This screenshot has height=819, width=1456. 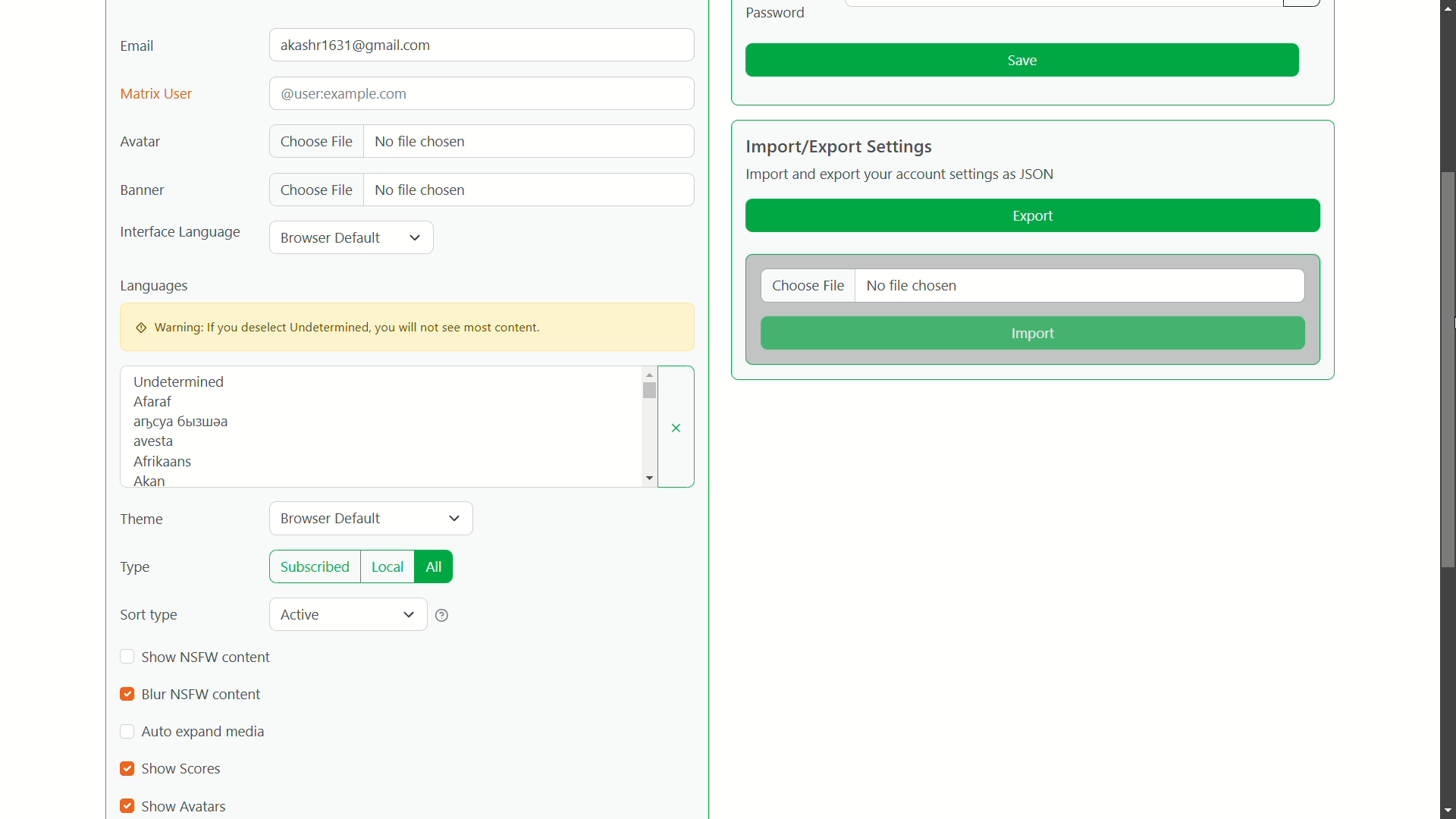 What do you see at coordinates (318, 190) in the screenshot?
I see `choose file` at bounding box center [318, 190].